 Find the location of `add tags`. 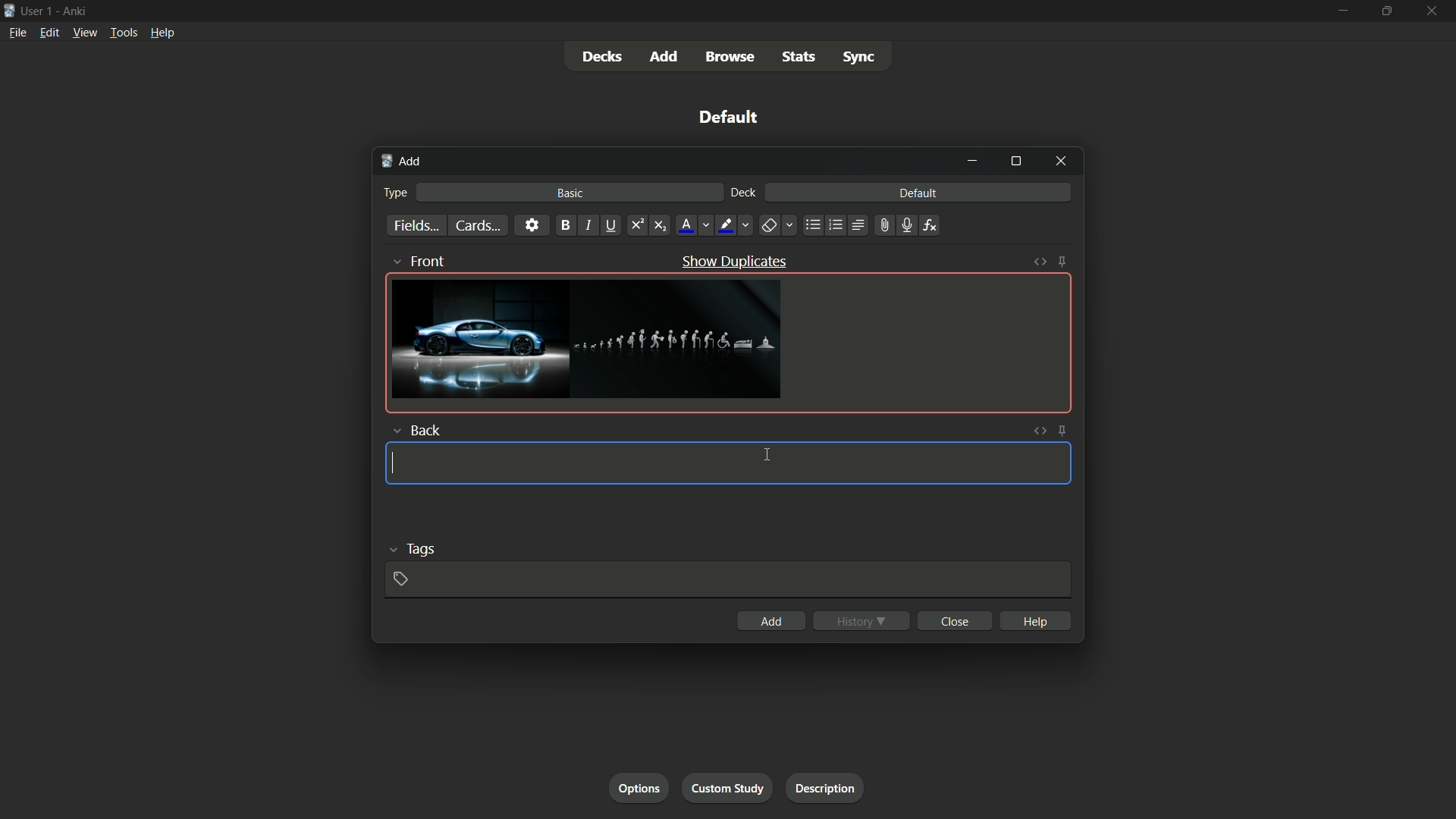

add tags is located at coordinates (403, 580).